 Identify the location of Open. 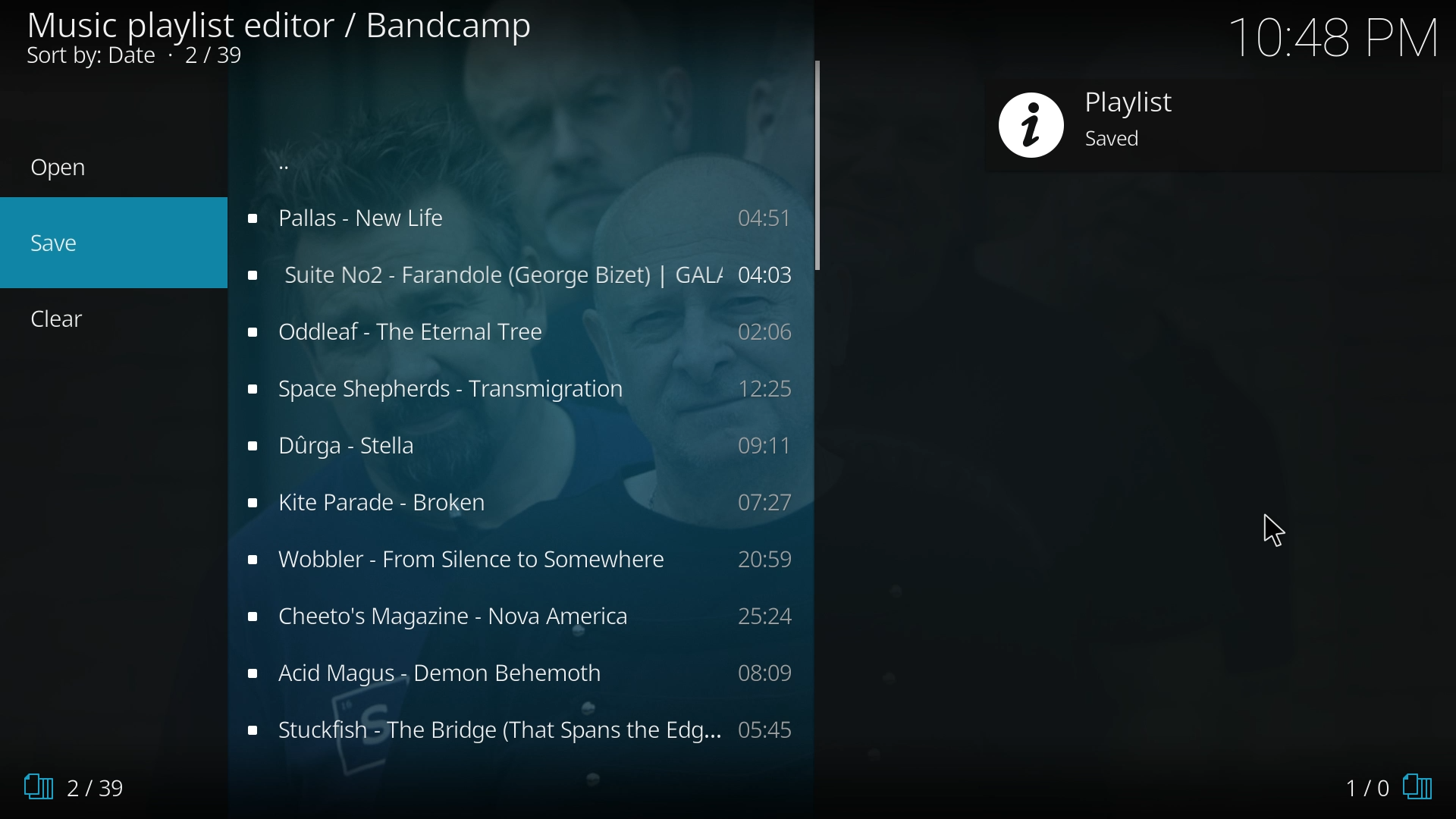
(95, 170).